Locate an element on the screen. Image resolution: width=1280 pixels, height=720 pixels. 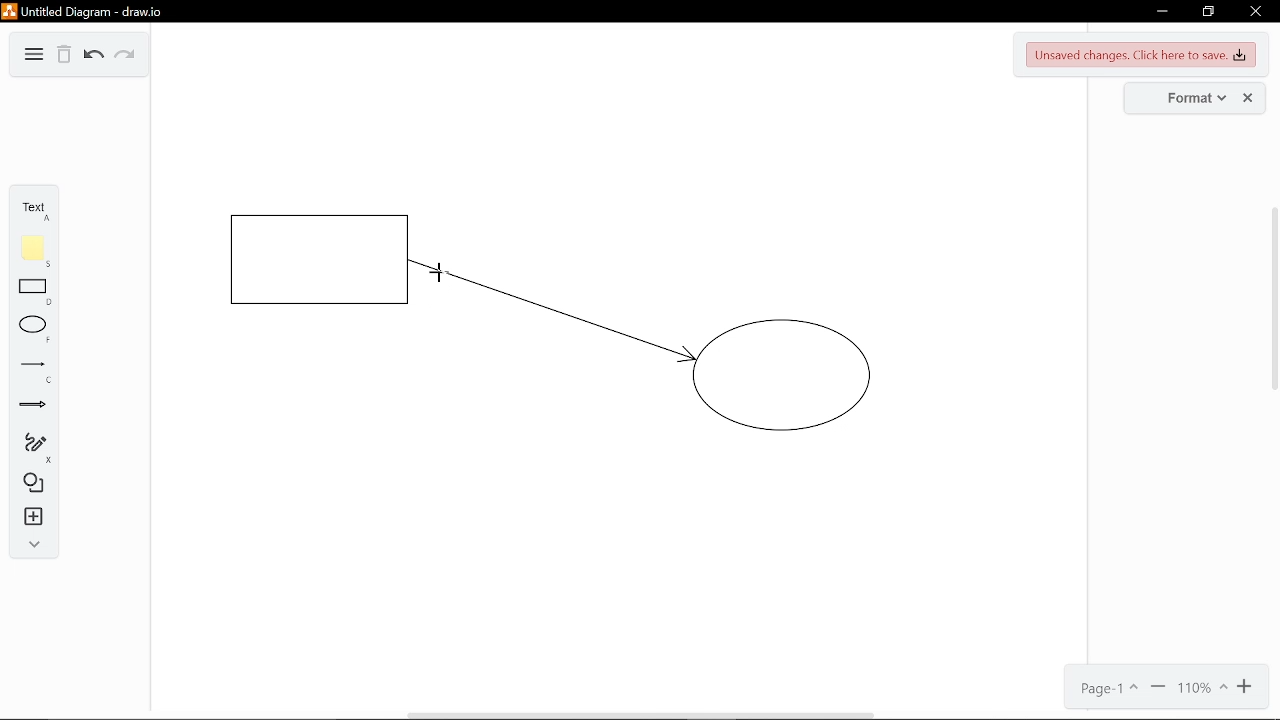
Circle shape is located at coordinates (787, 380).